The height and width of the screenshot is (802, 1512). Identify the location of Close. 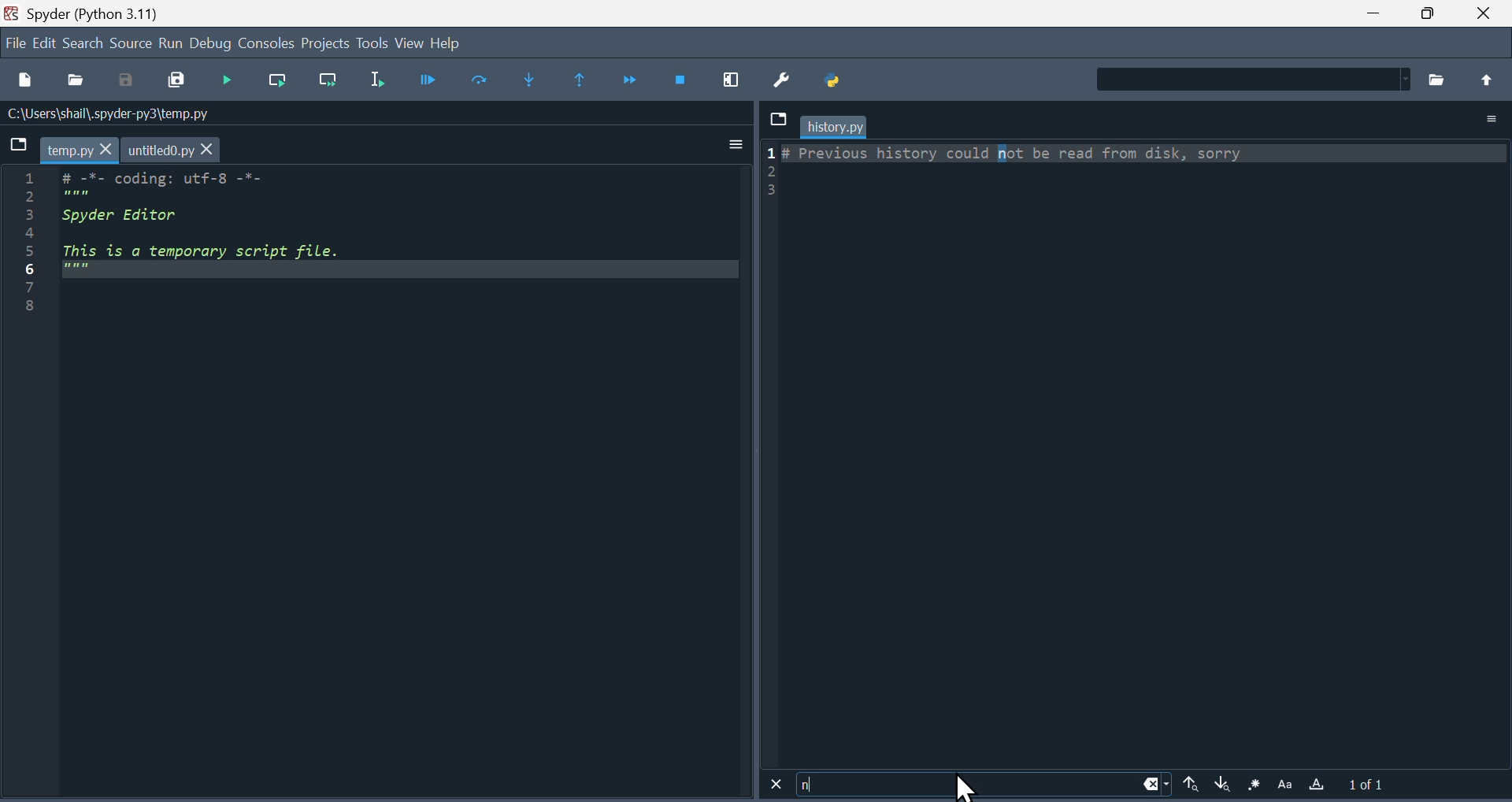
(773, 785).